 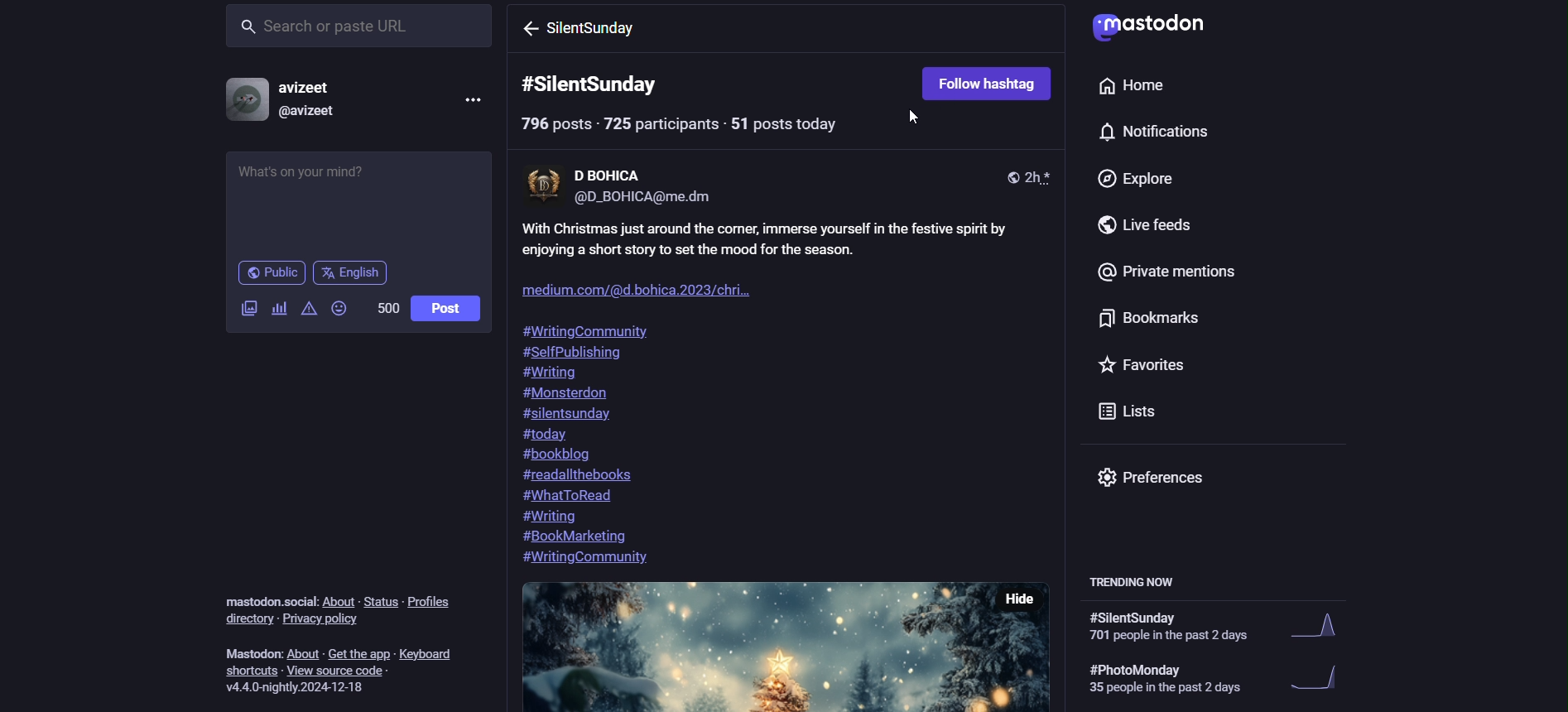 I want to click on Bookmarks, so click(x=1123, y=320).